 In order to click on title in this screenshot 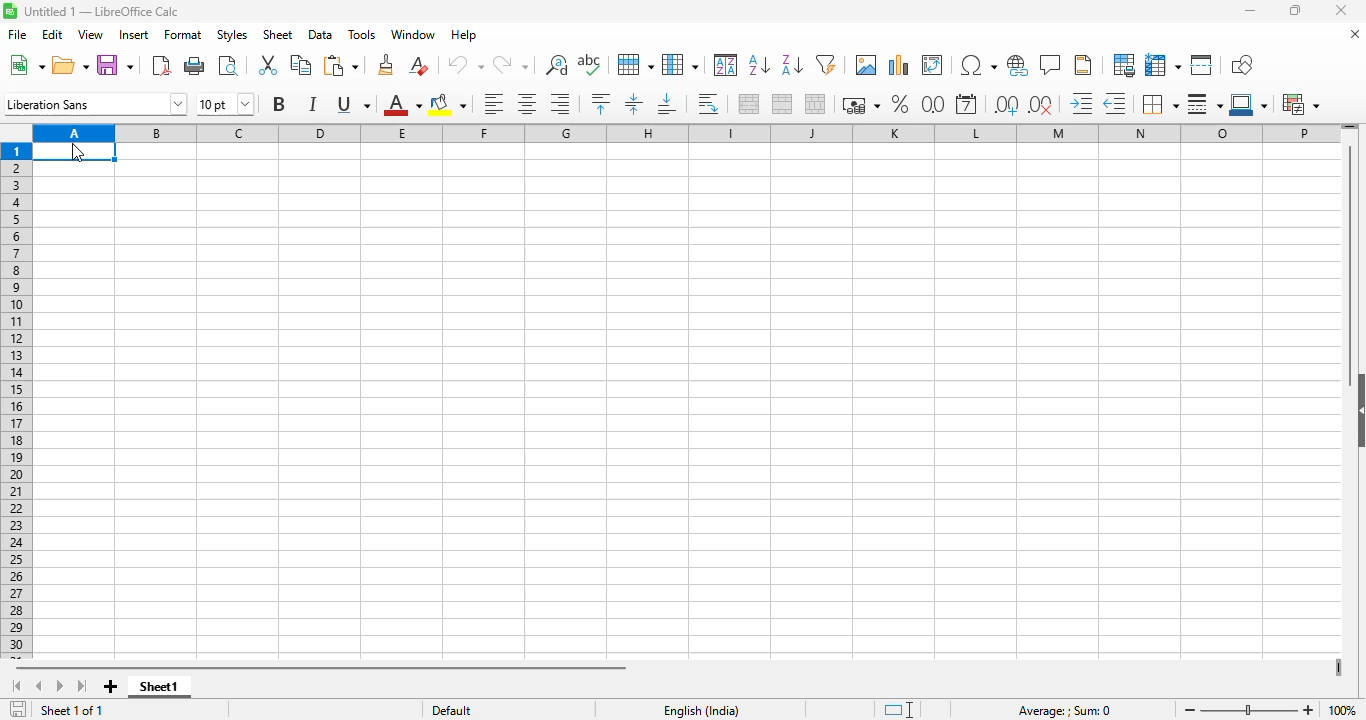, I will do `click(102, 11)`.